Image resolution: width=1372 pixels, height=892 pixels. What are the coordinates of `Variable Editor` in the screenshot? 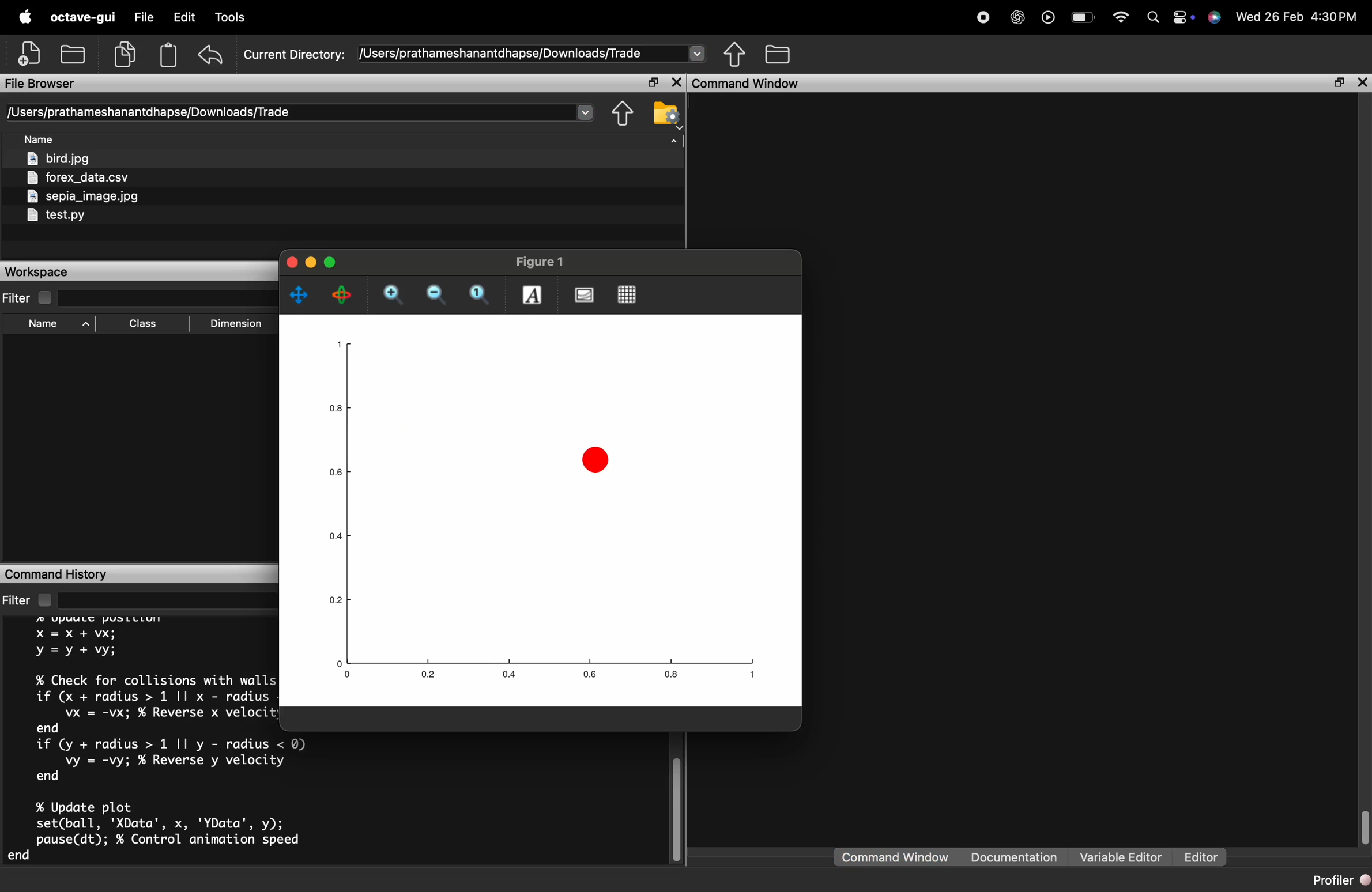 It's located at (1121, 856).